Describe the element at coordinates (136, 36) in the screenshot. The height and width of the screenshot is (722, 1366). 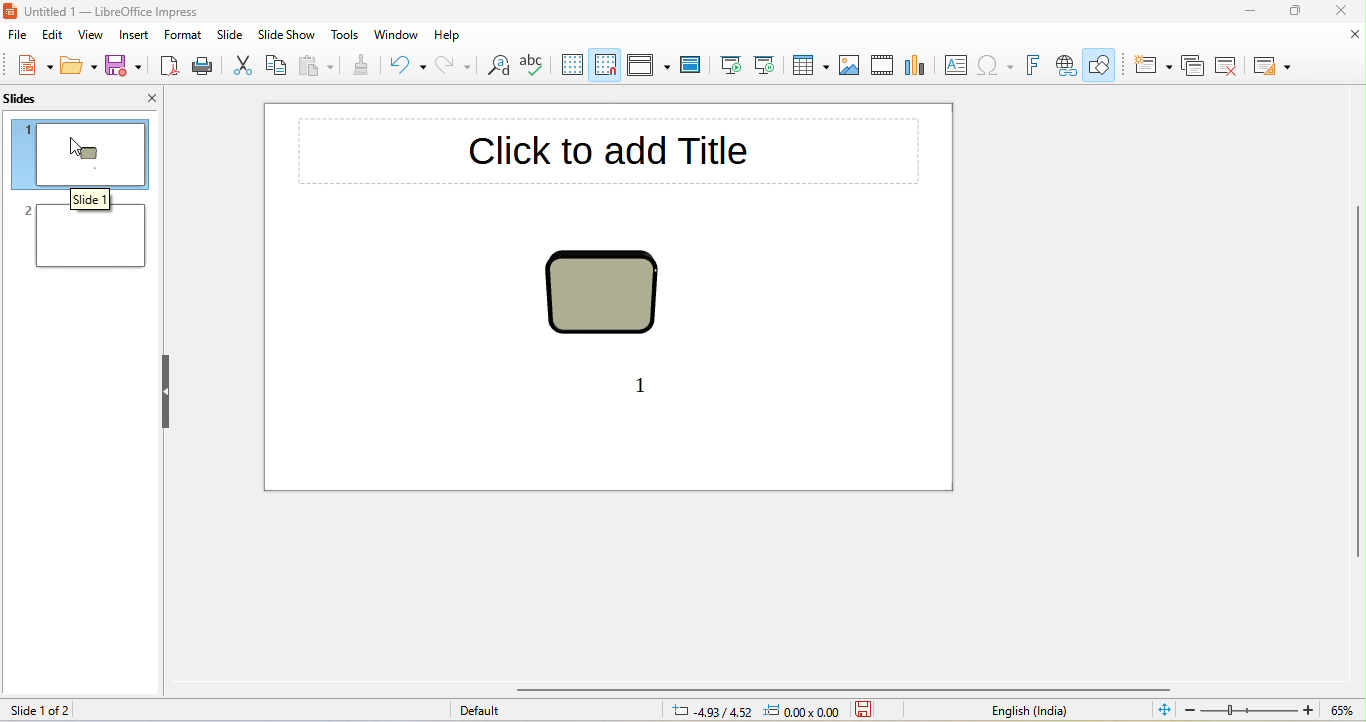
I see `insert` at that location.